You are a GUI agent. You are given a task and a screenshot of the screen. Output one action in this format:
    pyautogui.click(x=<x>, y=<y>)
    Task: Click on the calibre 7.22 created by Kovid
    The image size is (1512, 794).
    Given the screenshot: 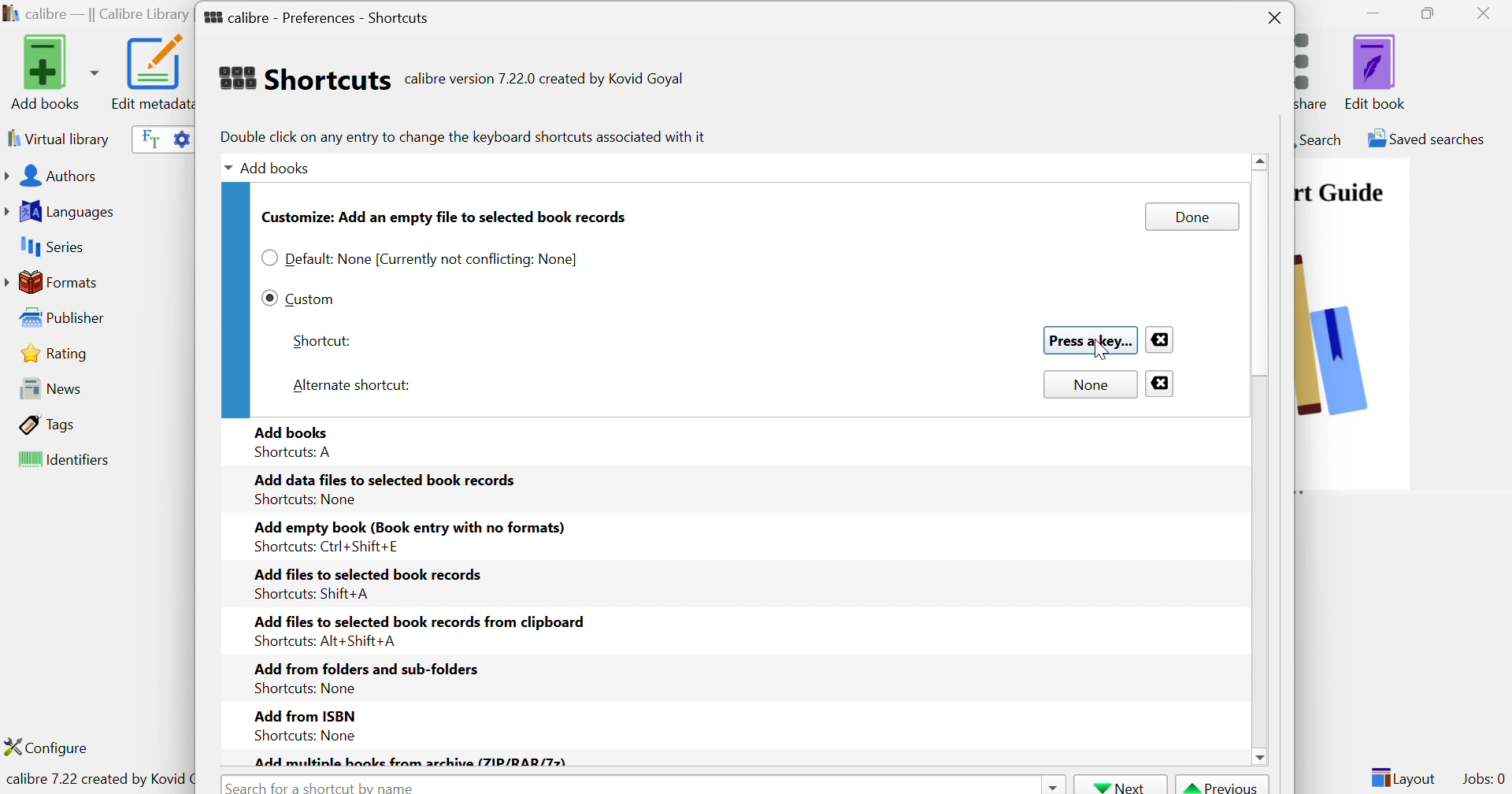 What is the action you would take?
    pyautogui.click(x=97, y=781)
    